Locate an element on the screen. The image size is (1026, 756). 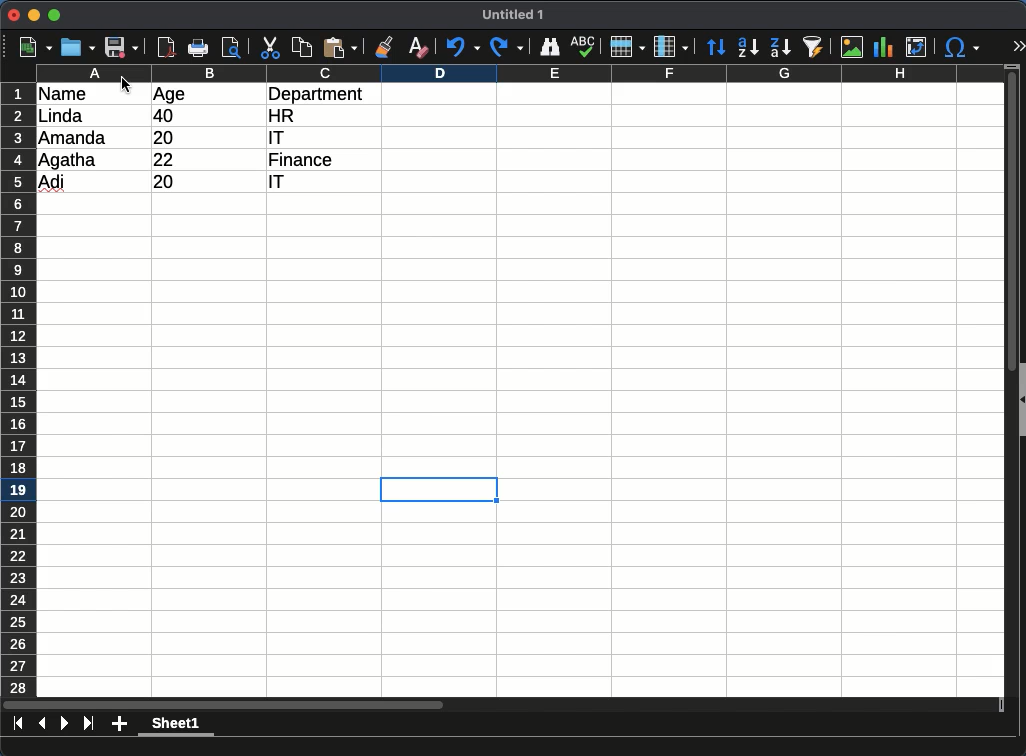
next page is located at coordinates (65, 723).